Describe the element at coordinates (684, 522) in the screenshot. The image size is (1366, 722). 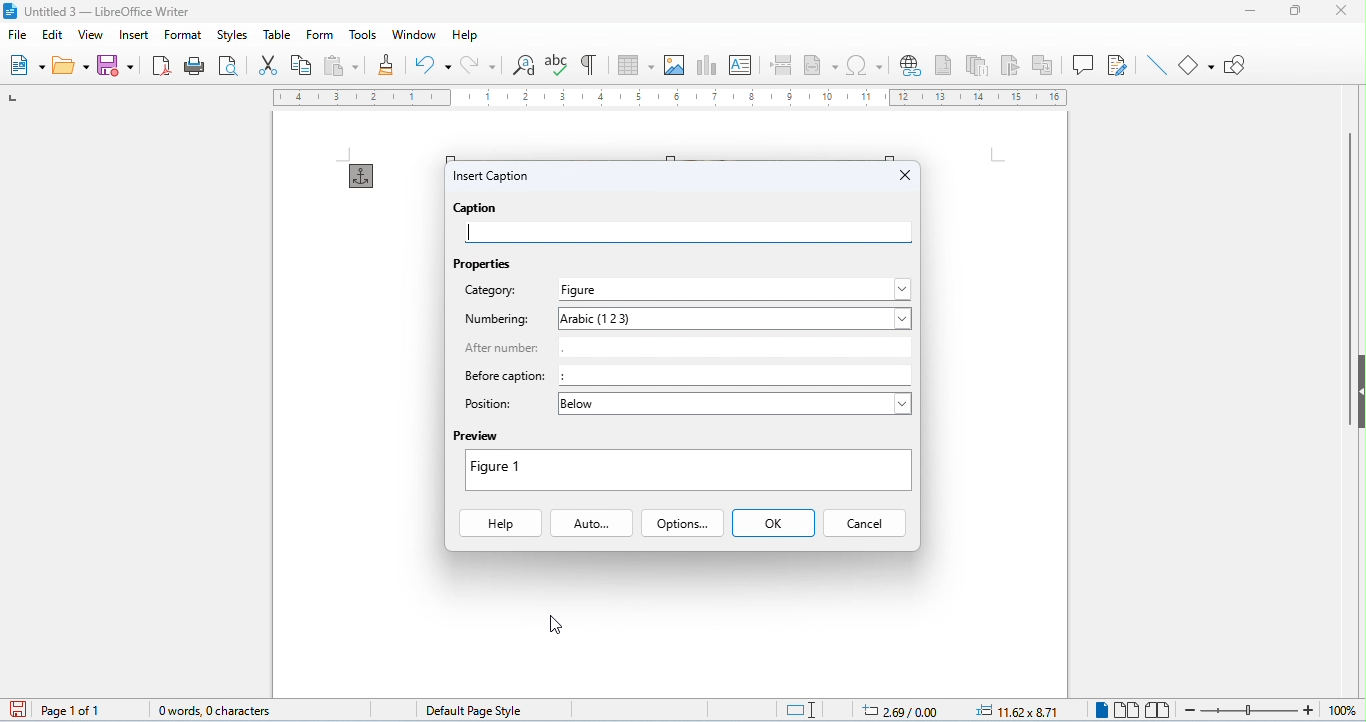
I see `options` at that location.